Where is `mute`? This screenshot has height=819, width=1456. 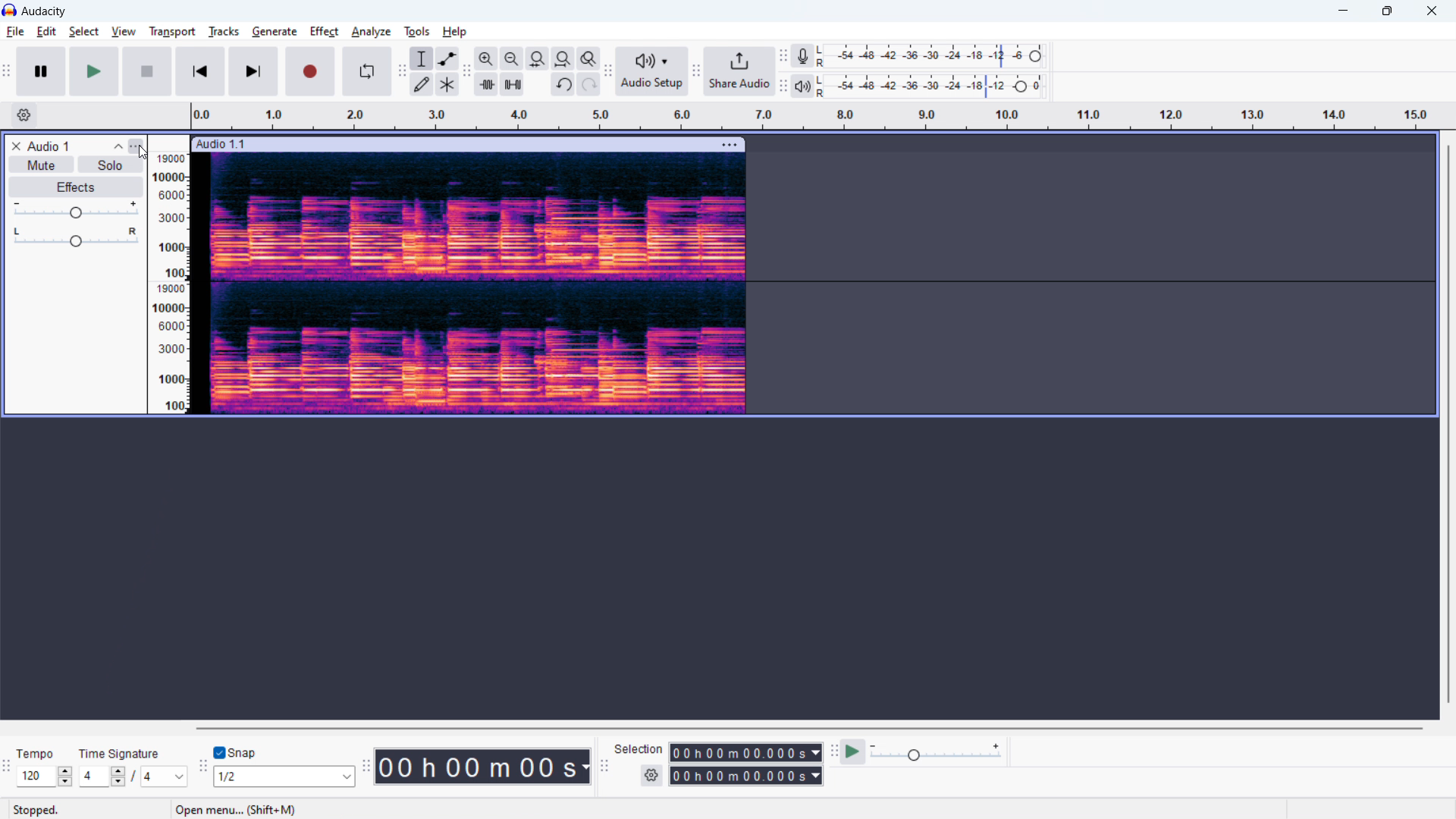
mute is located at coordinates (40, 164).